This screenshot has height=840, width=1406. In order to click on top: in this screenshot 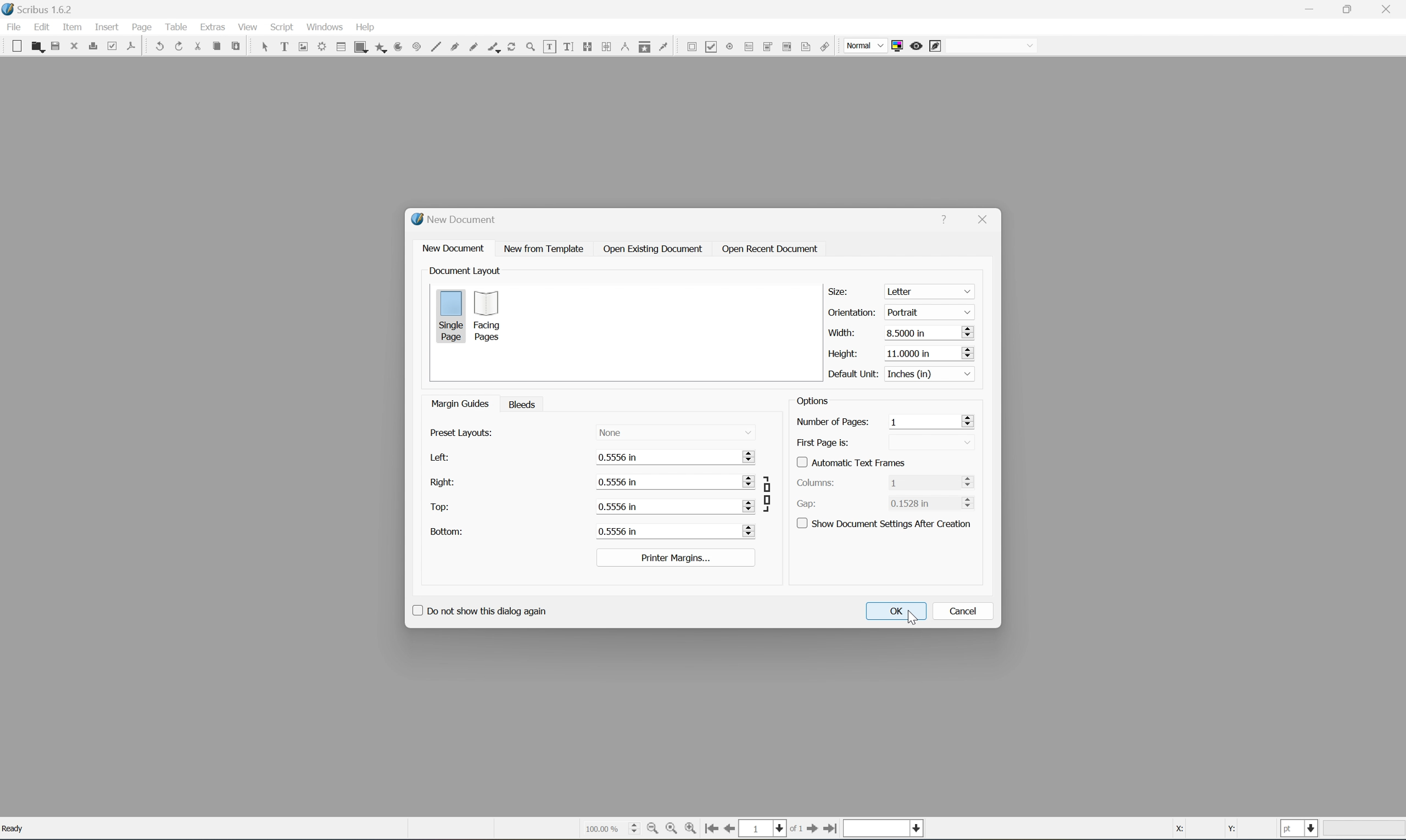, I will do `click(441, 508)`.